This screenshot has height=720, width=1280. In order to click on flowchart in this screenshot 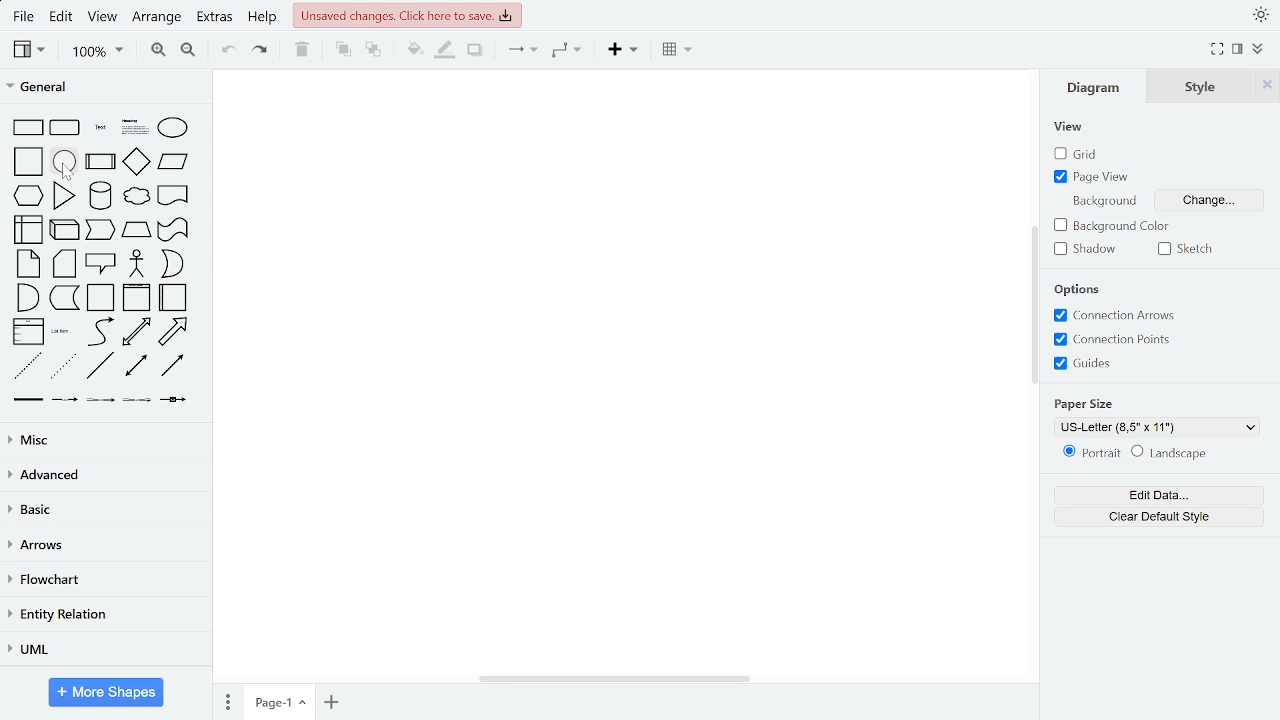, I will do `click(106, 580)`.